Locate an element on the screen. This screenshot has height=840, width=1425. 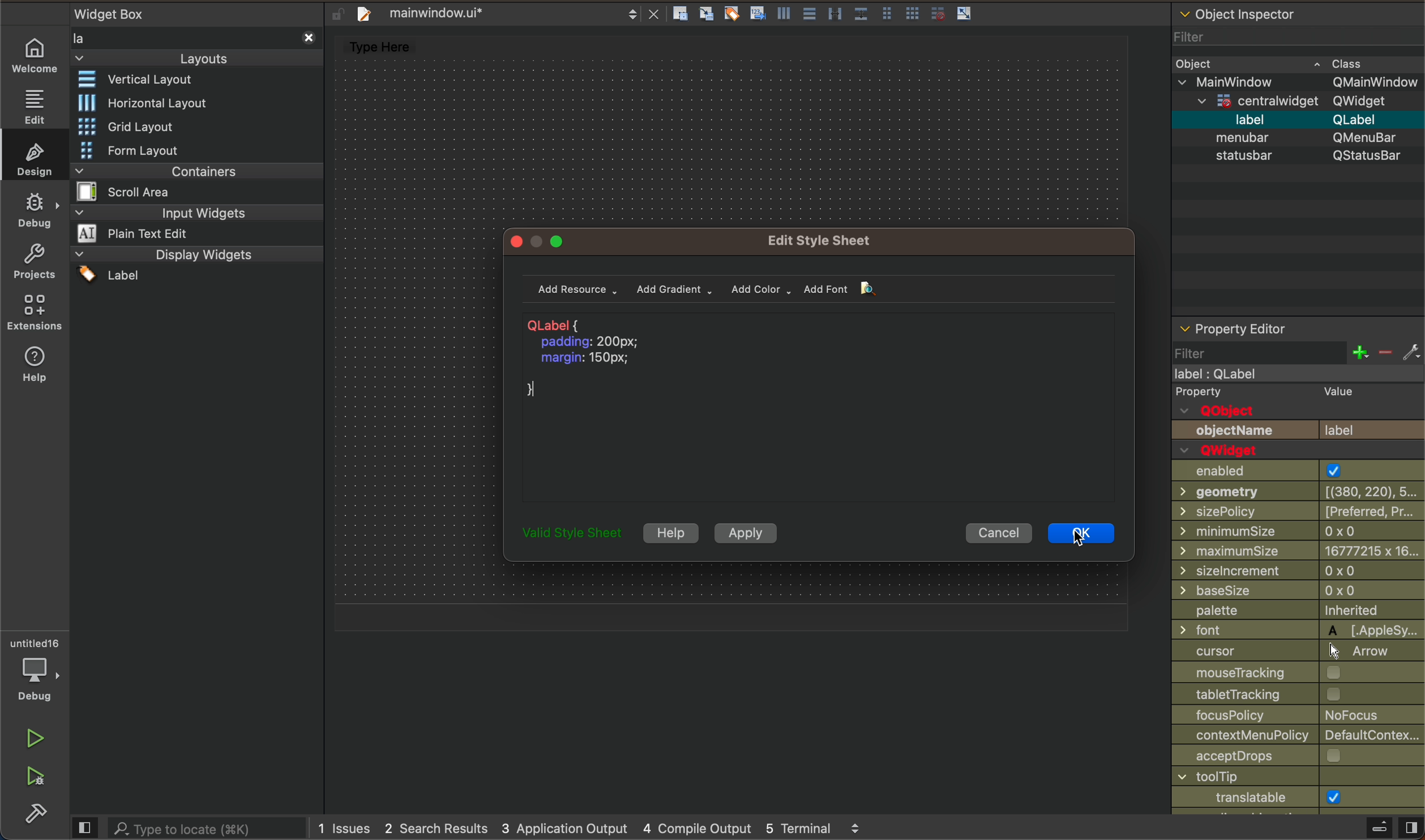
add resource is located at coordinates (582, 289).